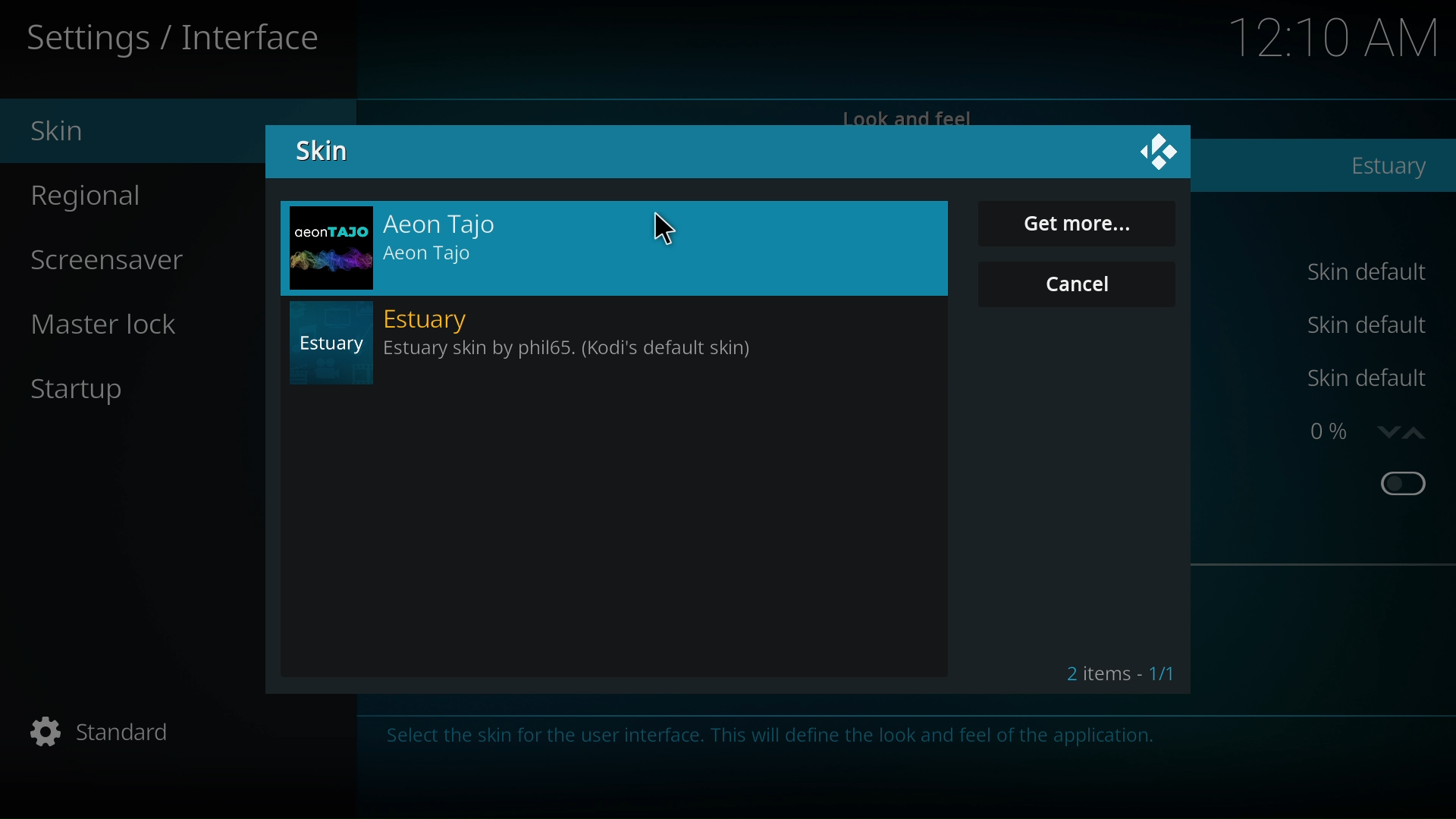  I want to click on |ook and feel, so click(908, 116).